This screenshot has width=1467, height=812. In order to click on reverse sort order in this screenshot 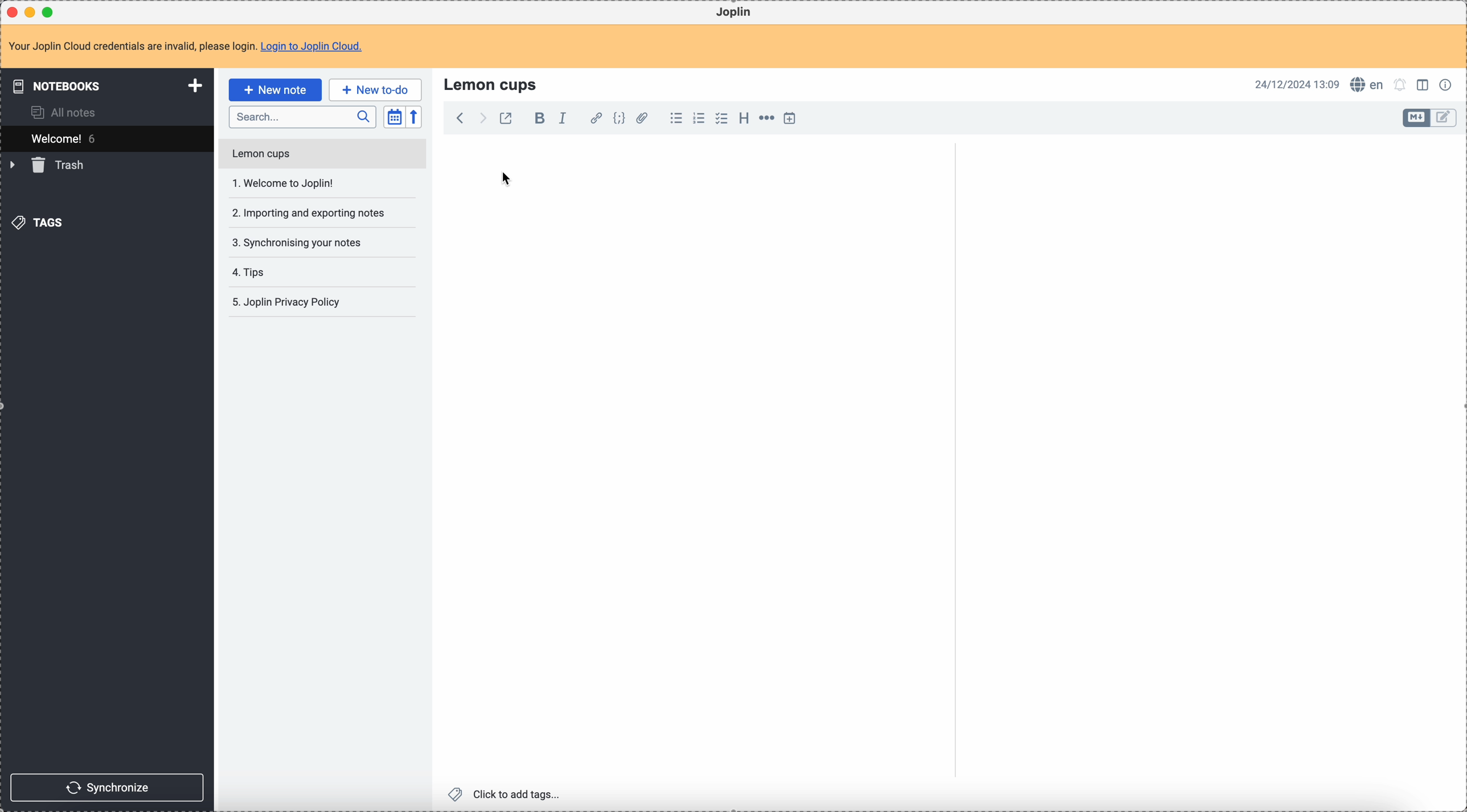, I will do `click(416, 117)`.